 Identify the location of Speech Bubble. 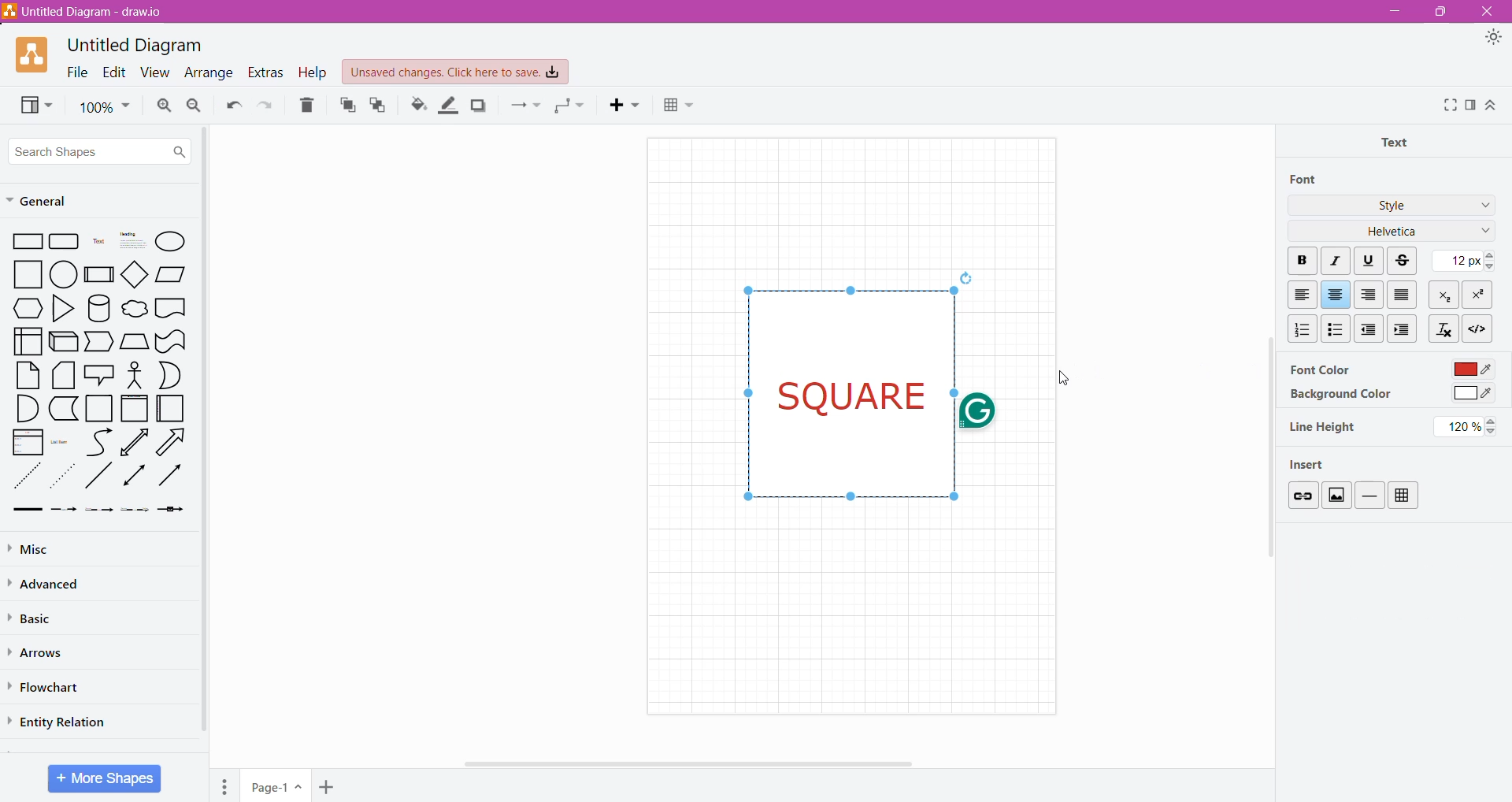
(101, 373).